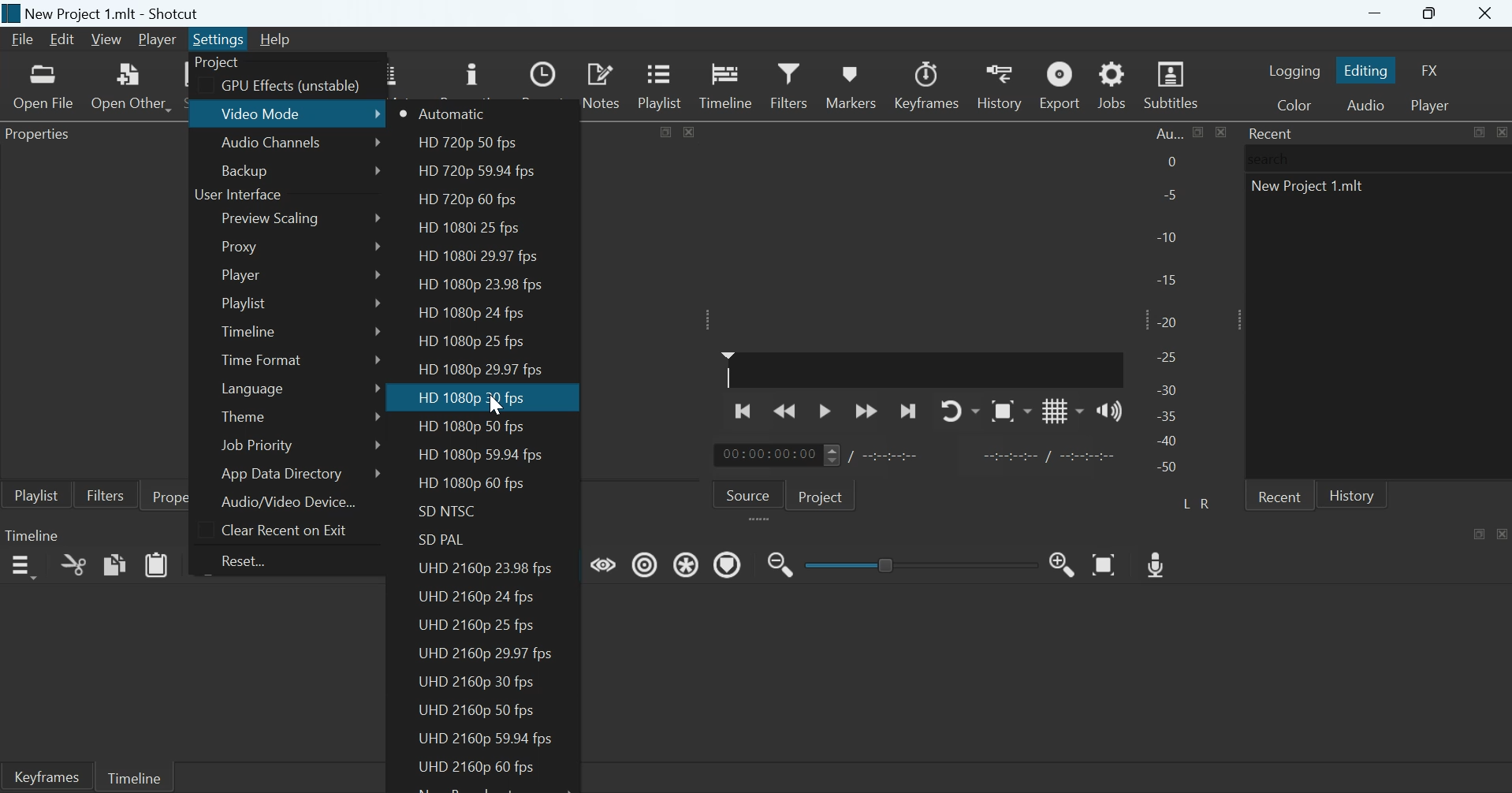  Describe the element at coordinates (477, 626) in the screenshot. I see `UHD 2160p 25 fps` at that location.